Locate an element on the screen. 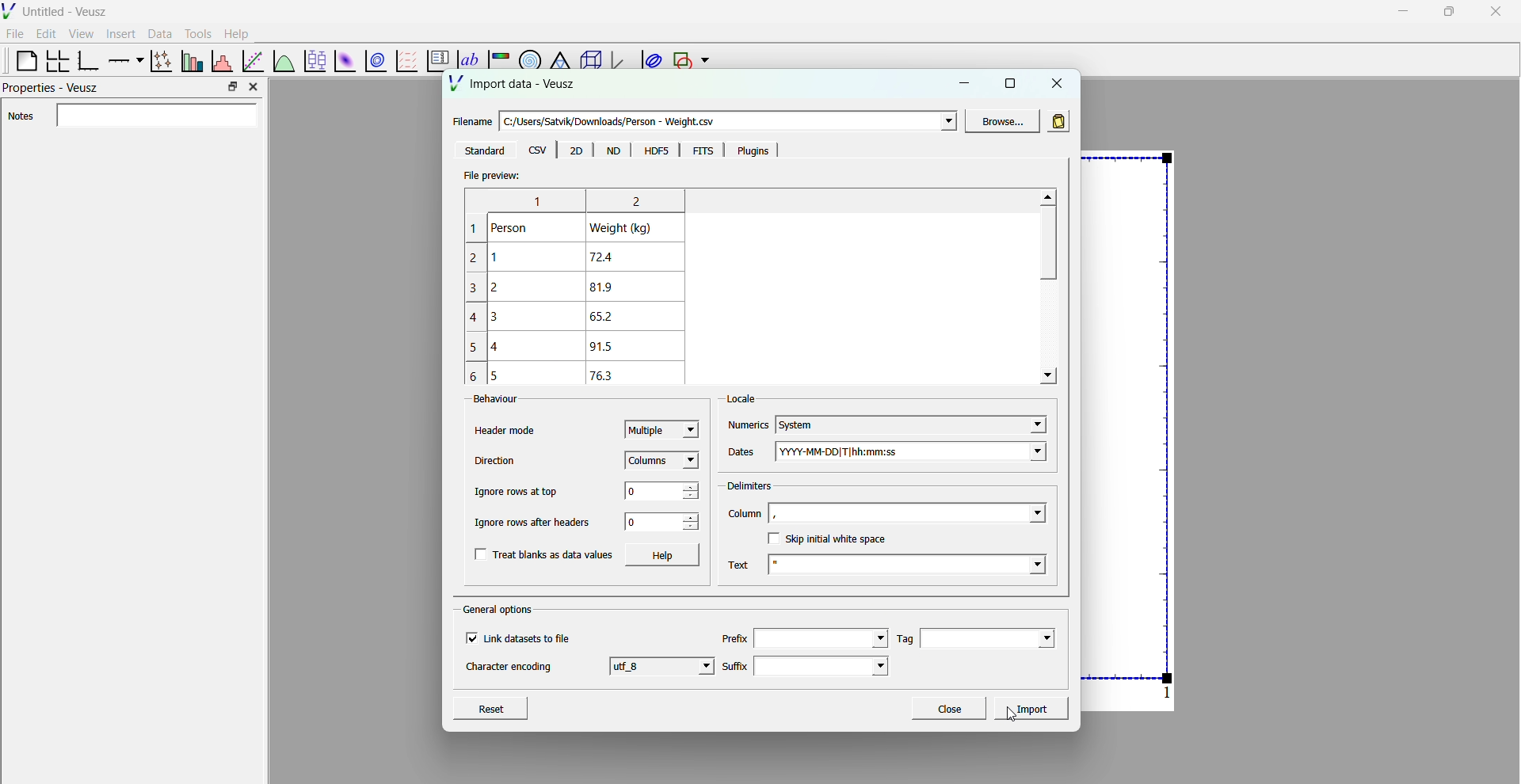 Image resolution: width=1521 pixels, height=784 pixels. Plugins is located at coordinates (749, 150).